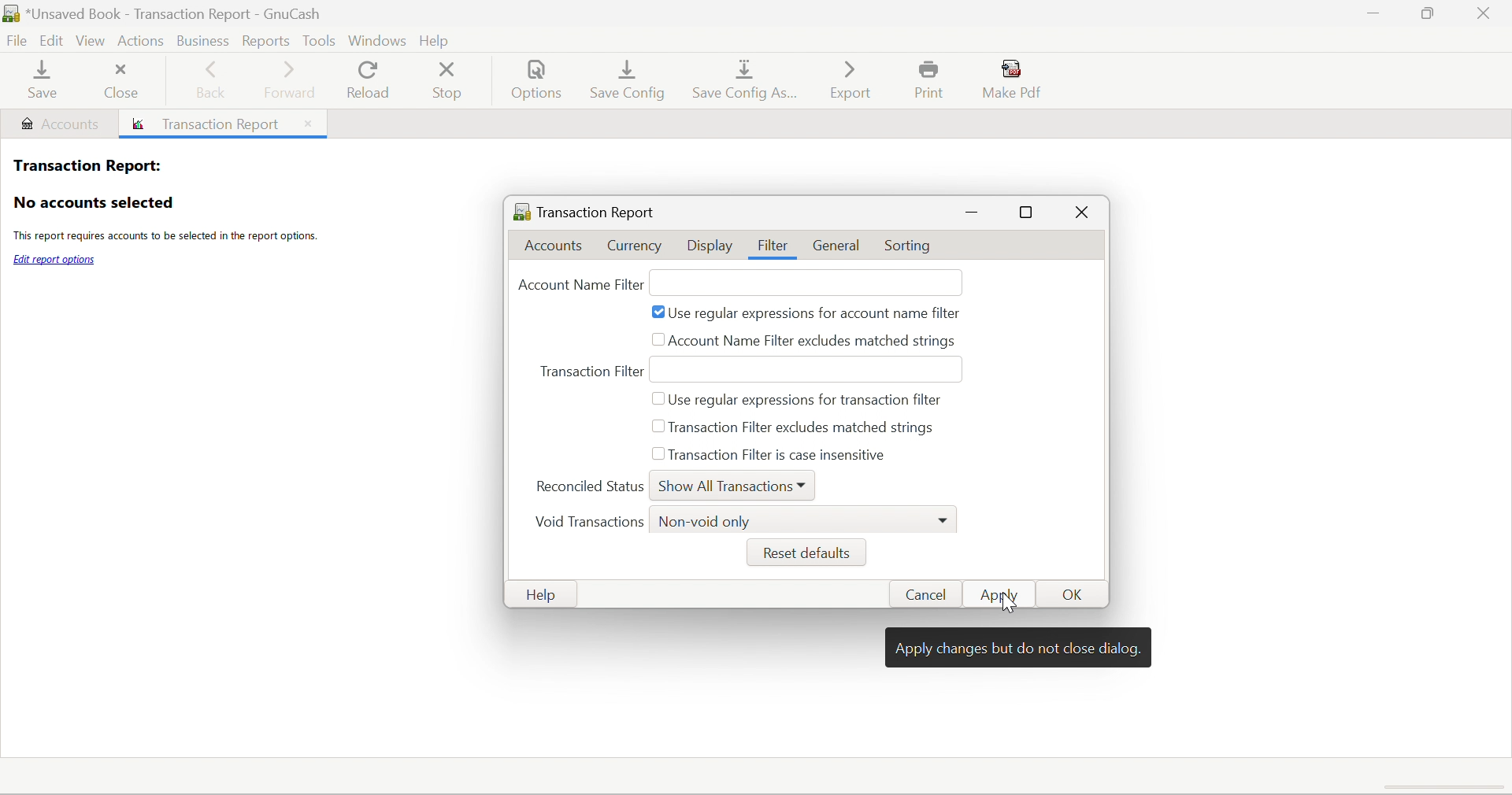 The height and width of the screenshot is (795, 1512). Describe the element at coordinates (946, 519) in the screenshot. I see `Drop Down` at that location.